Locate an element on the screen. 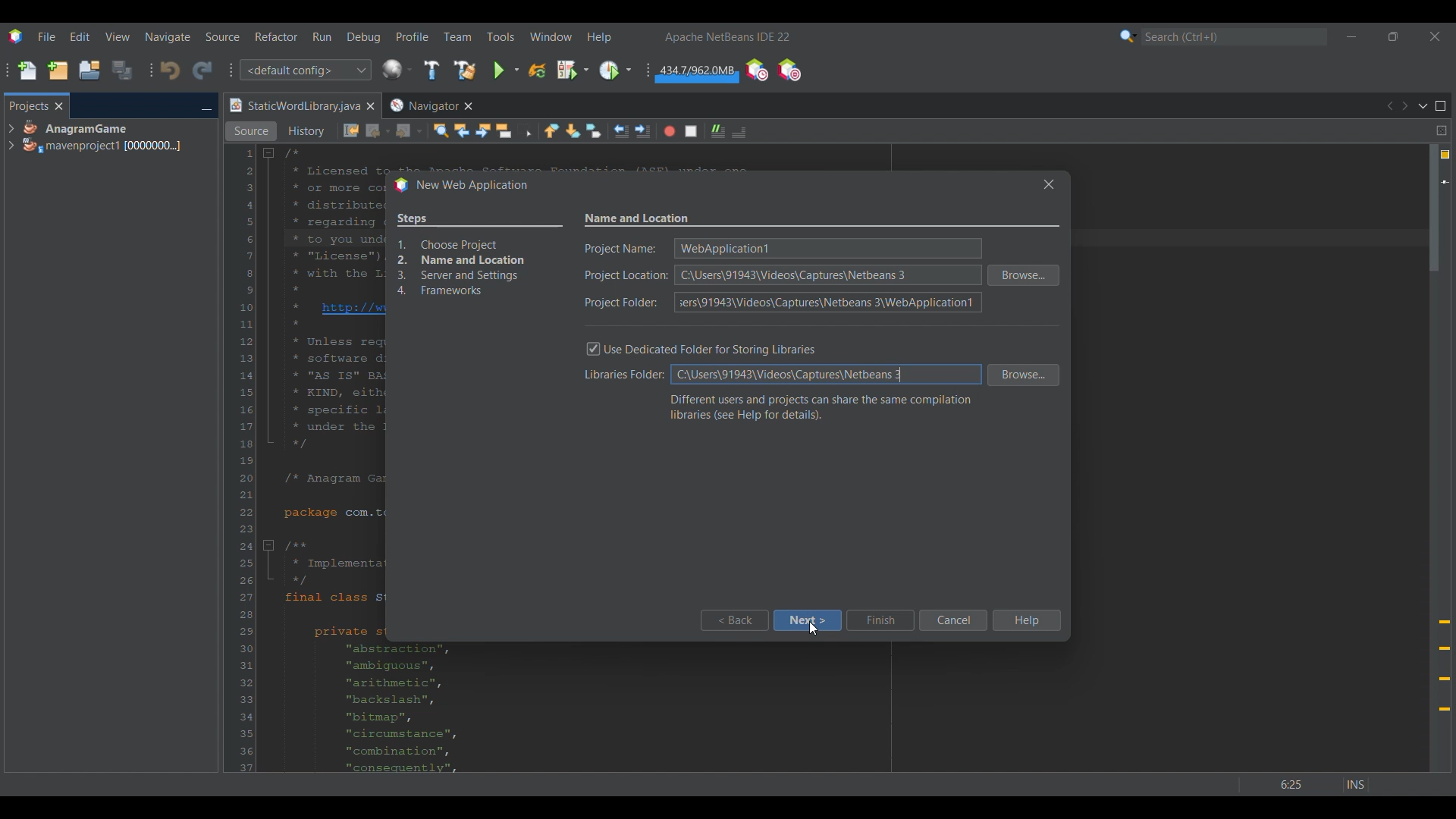 The image size is (1456, 819). Reload is located at coordinates (537, 71).